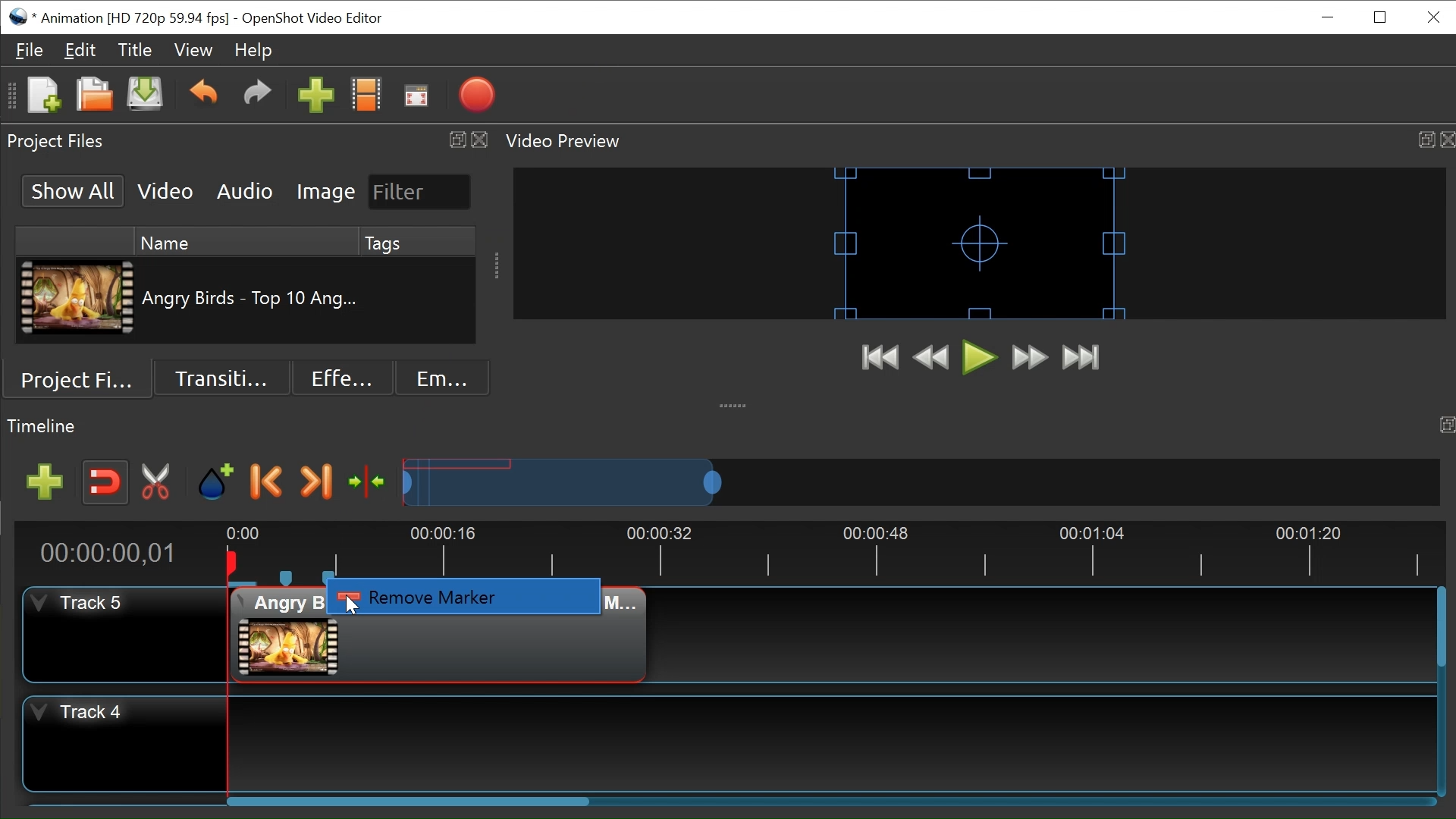 This screenshot has height=819, width=1456. I want to click on Next Marker, so click(315, 482).